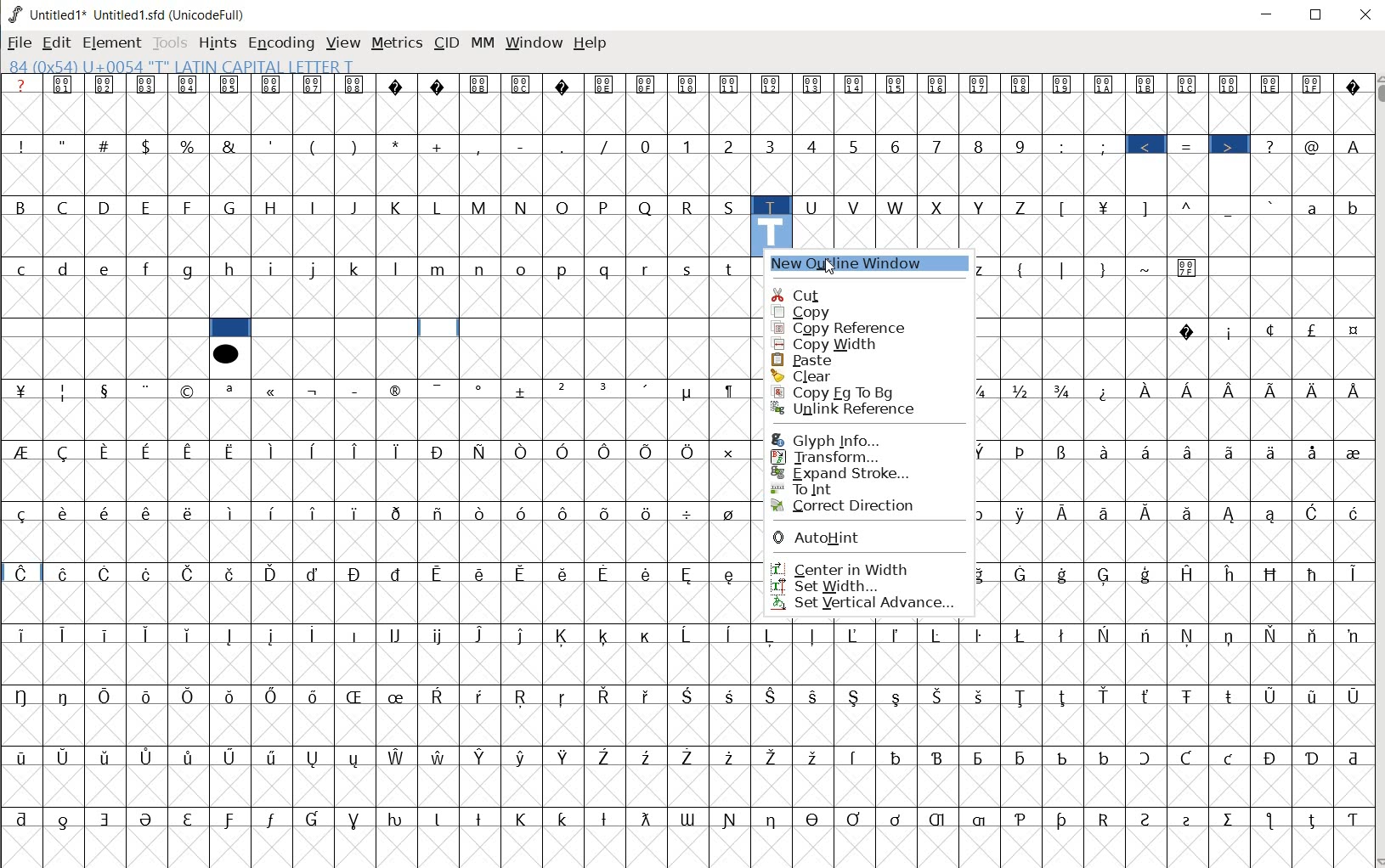 The width and height of the screenshot is (1385, 868). What do you see at coordinates (564, 147) in the screenshot?
I see `.` at bounding box center [564, 147].